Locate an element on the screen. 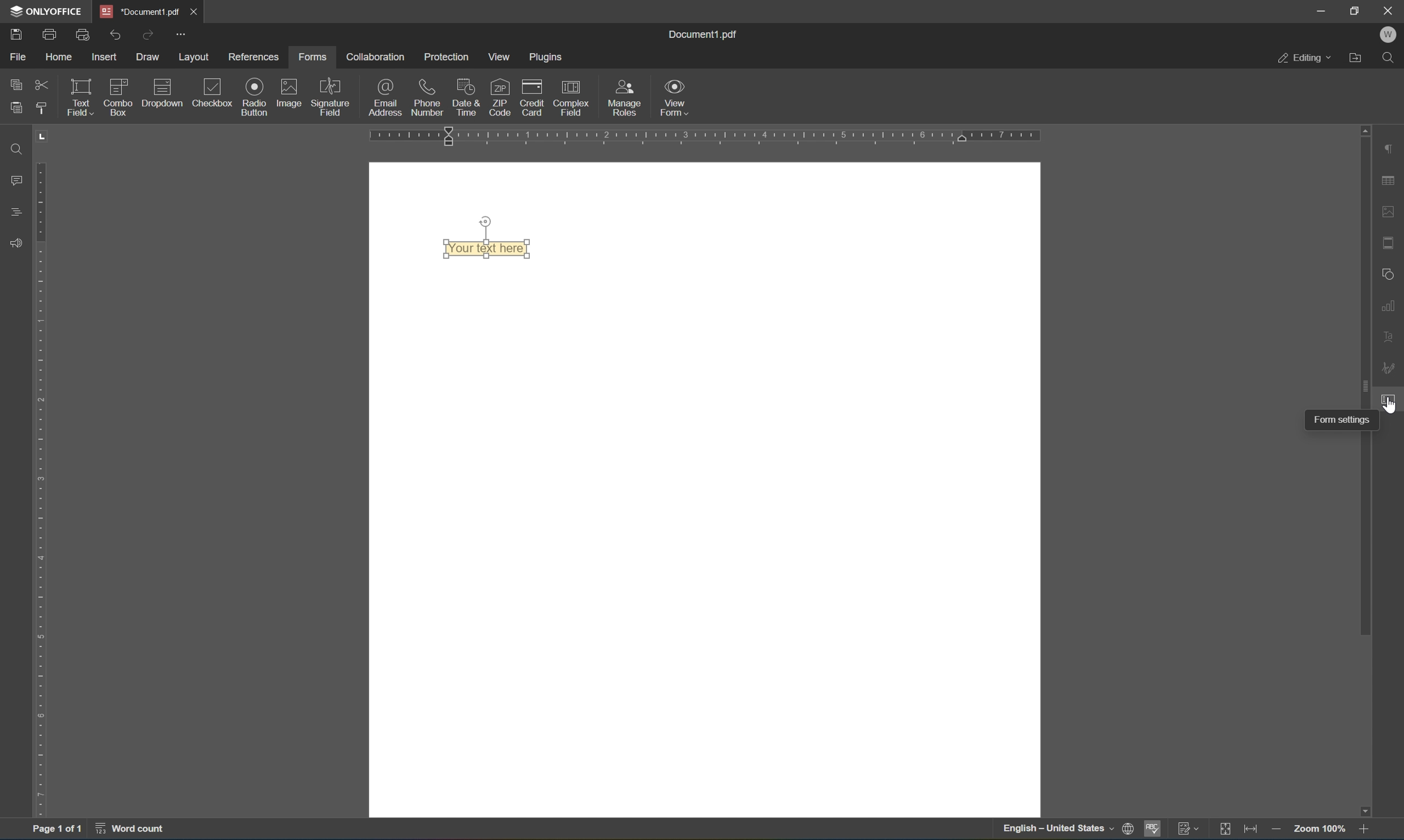 This screenshot has height=840, width=1404. editing is located at coordinates (1302, 59).